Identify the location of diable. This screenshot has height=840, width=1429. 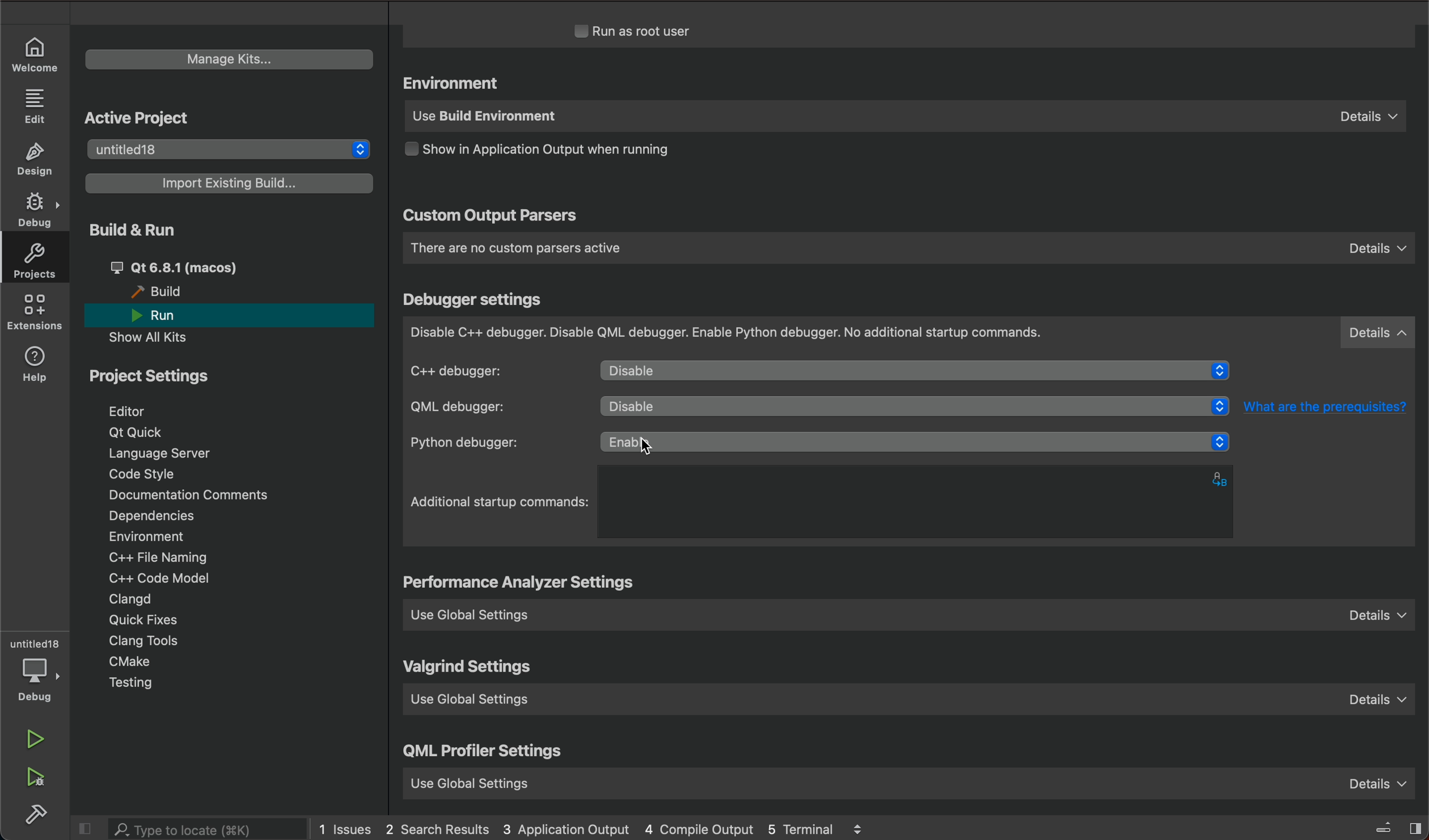
(916, 372).